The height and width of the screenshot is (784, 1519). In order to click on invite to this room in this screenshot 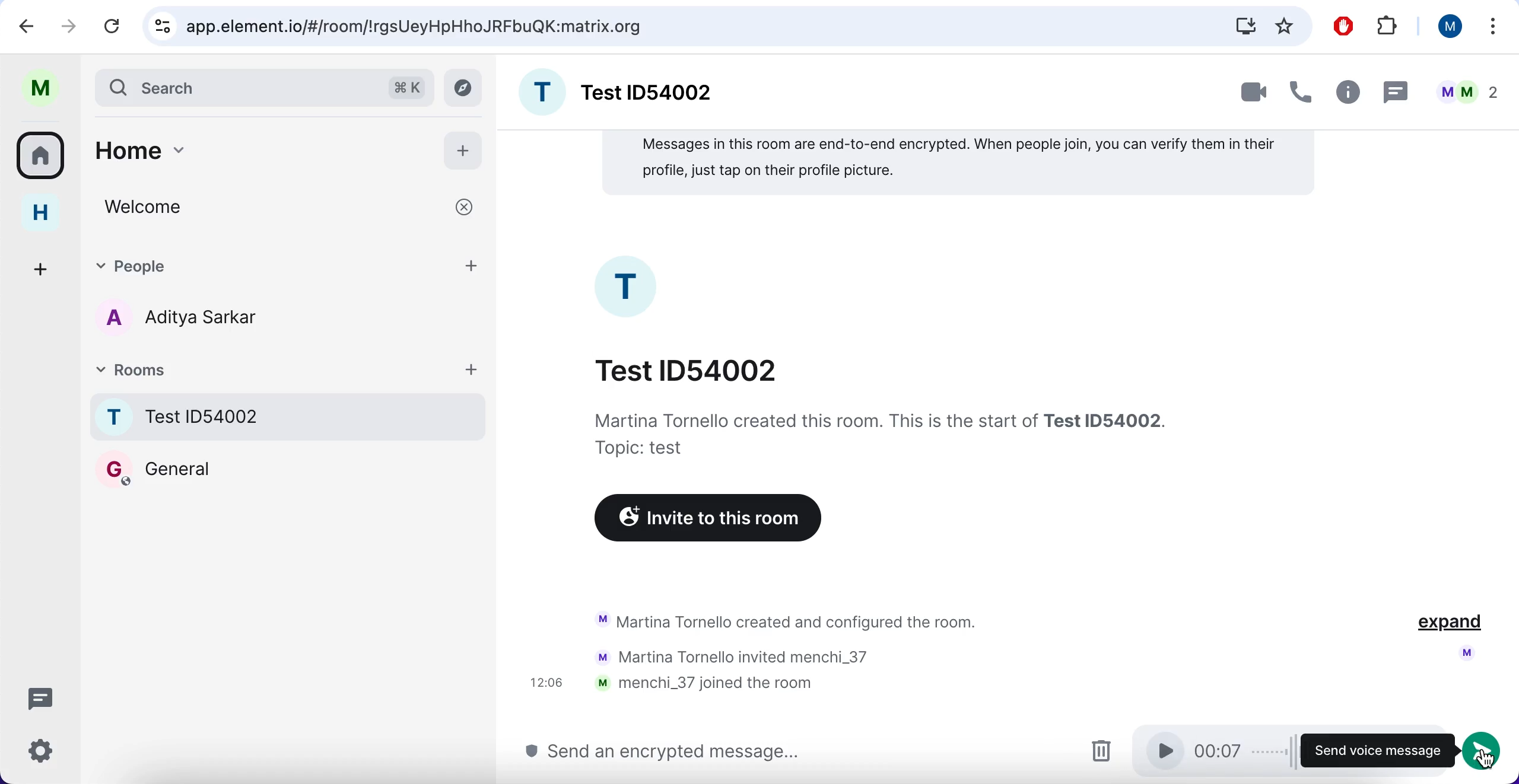, I will do `click(703, 520)`.